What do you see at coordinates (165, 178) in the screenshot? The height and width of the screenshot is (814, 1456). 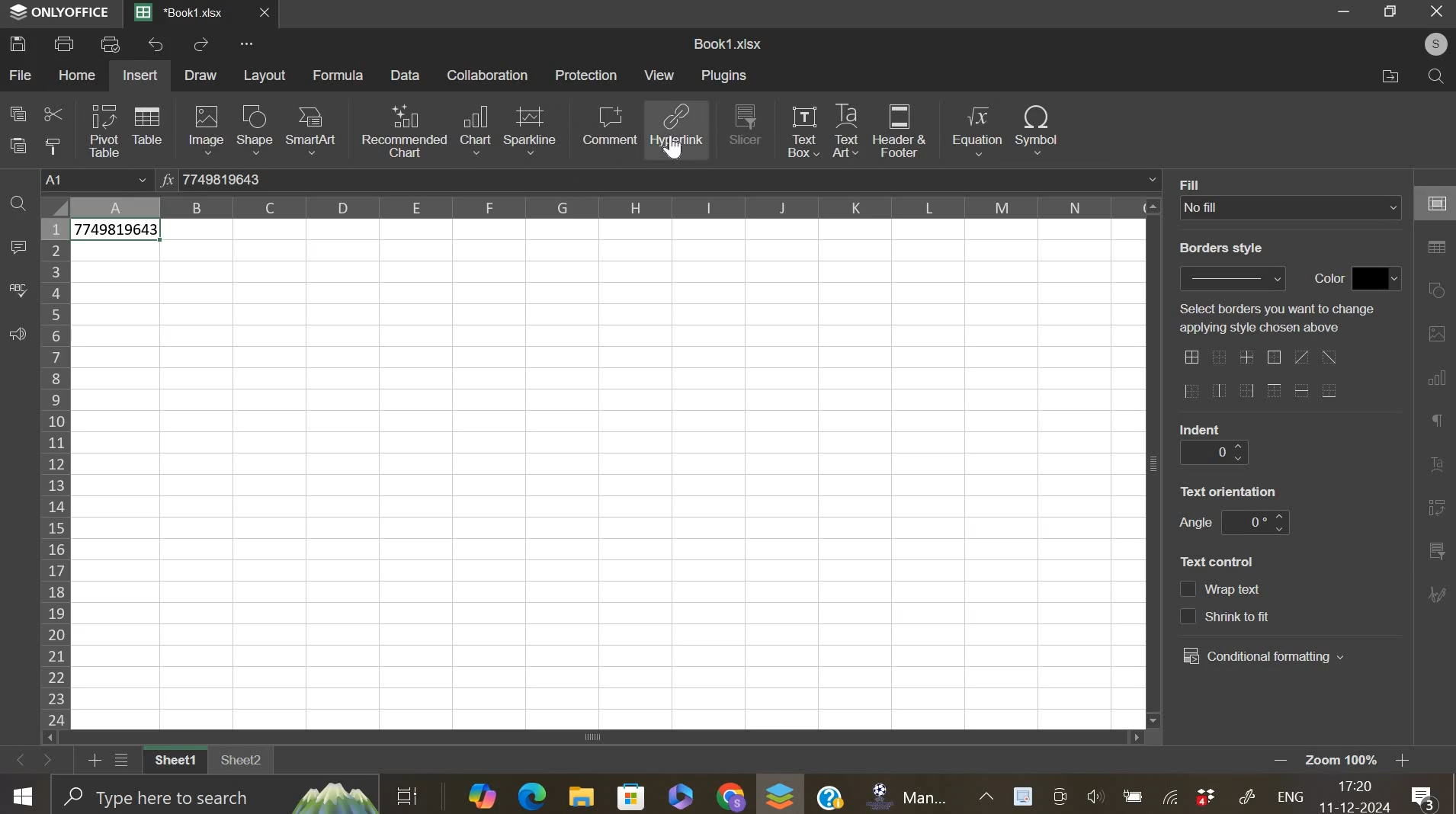 I see `function` at bounding box center [165, 178].